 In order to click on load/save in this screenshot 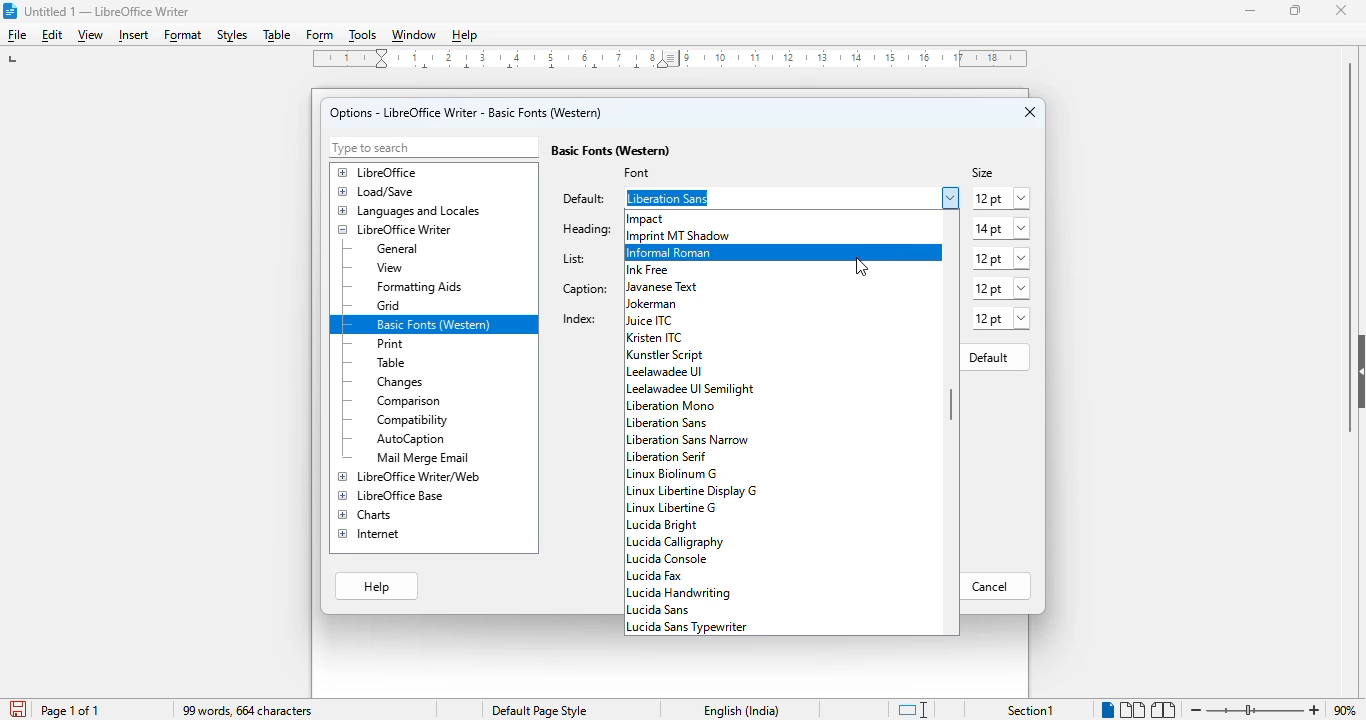, I will do `click(377, 192)`.